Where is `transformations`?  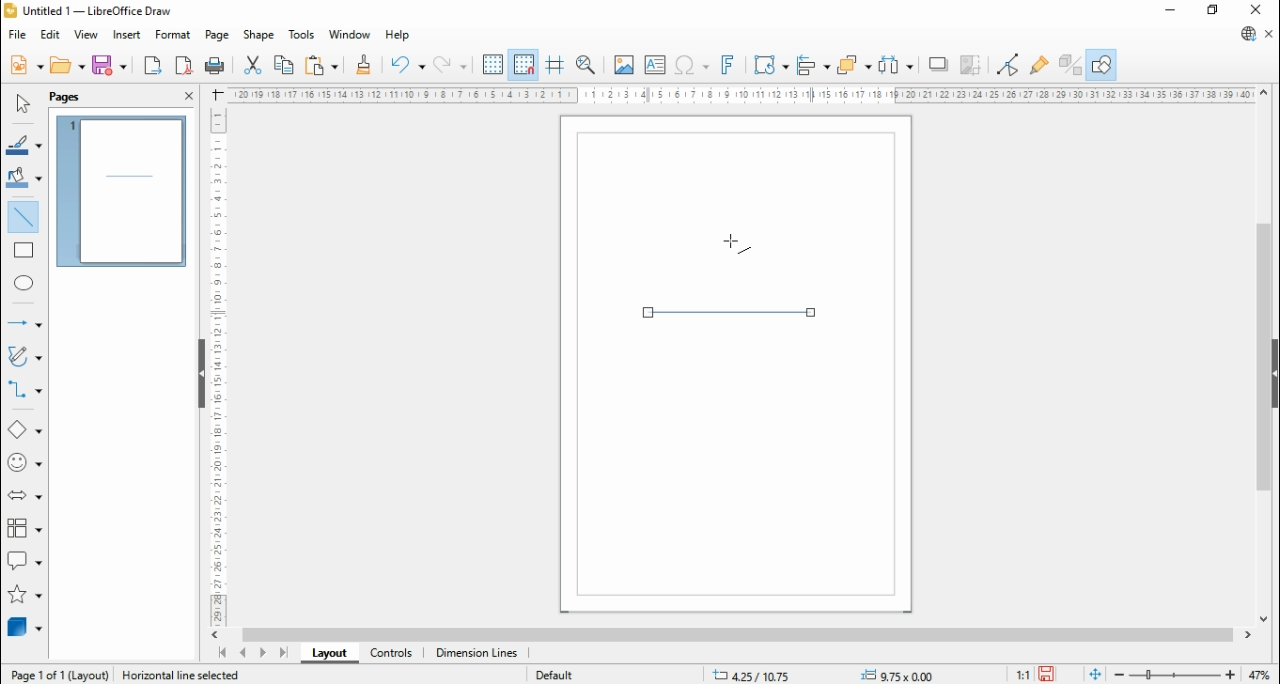 transformations is located at coordinates (770, 64).